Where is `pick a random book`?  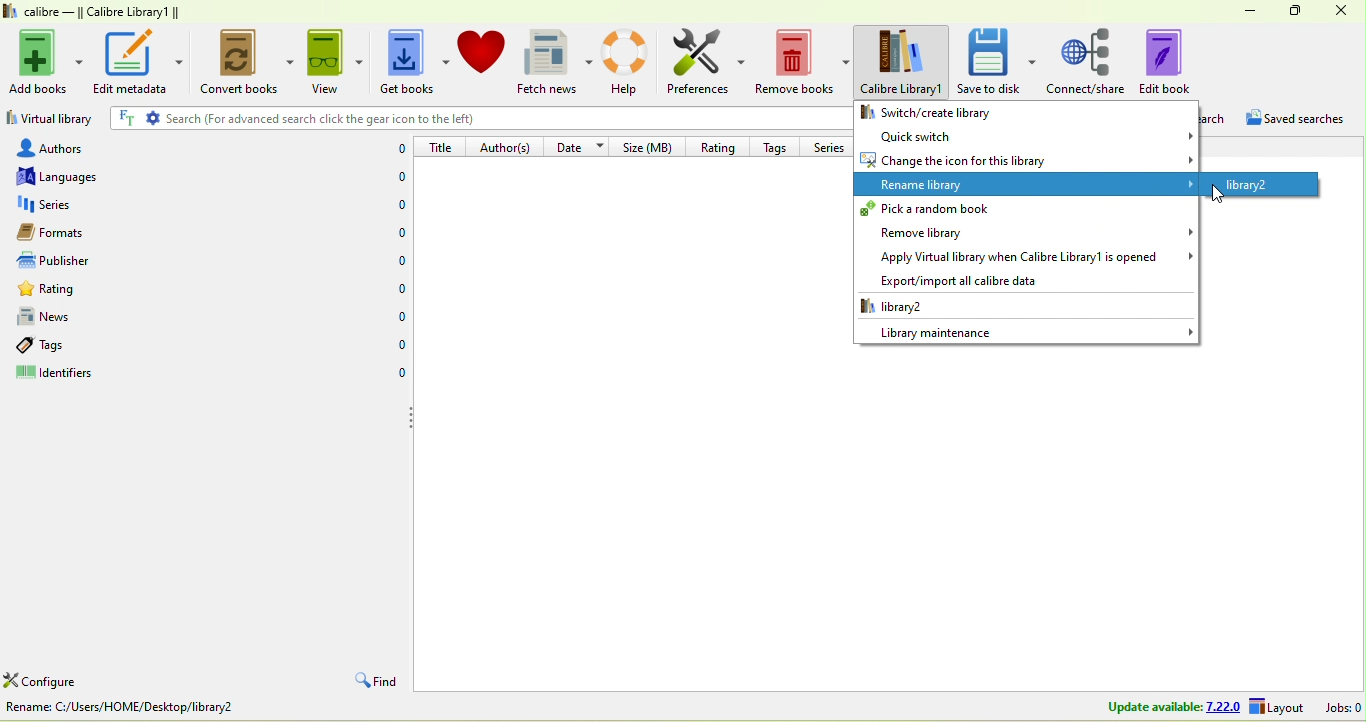 pick a random book is located at coordinates (1023, 209).